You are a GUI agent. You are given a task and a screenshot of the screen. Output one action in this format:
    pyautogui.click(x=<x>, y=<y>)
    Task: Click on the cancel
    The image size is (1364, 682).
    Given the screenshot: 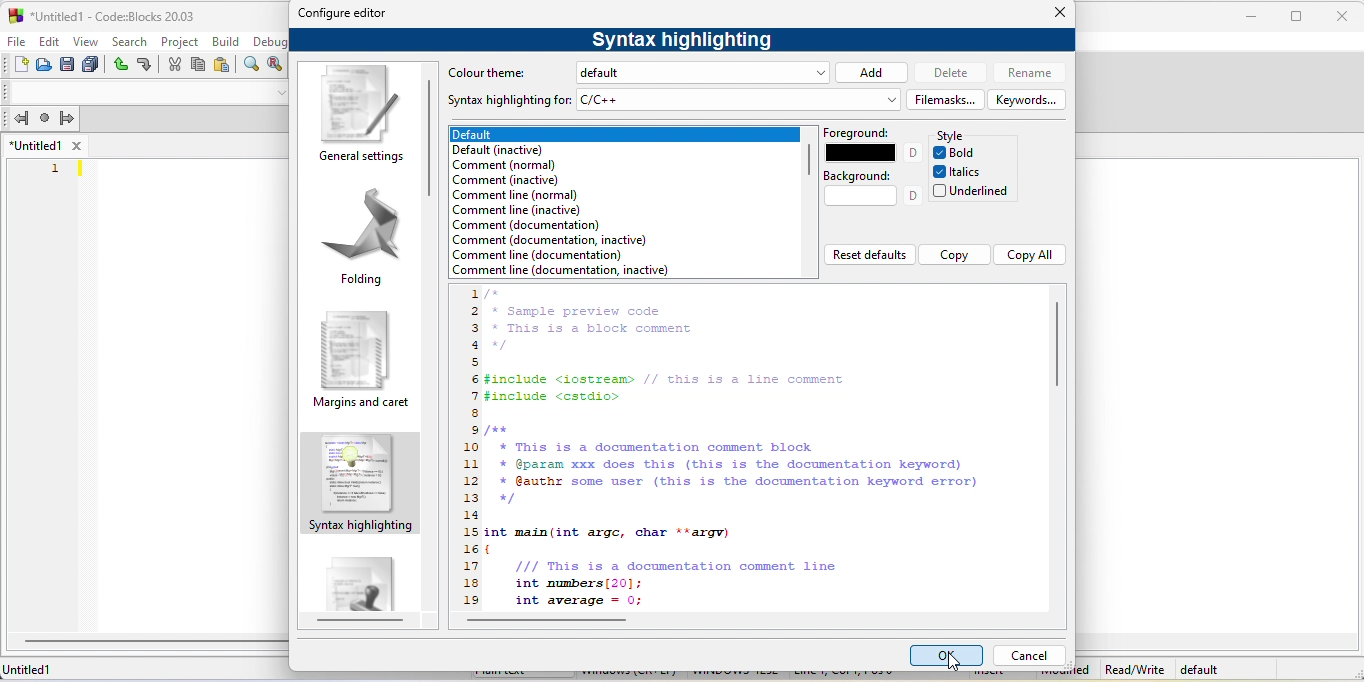 What is the action you would take?
    pyautogui.click(x=1029, y=656)
    